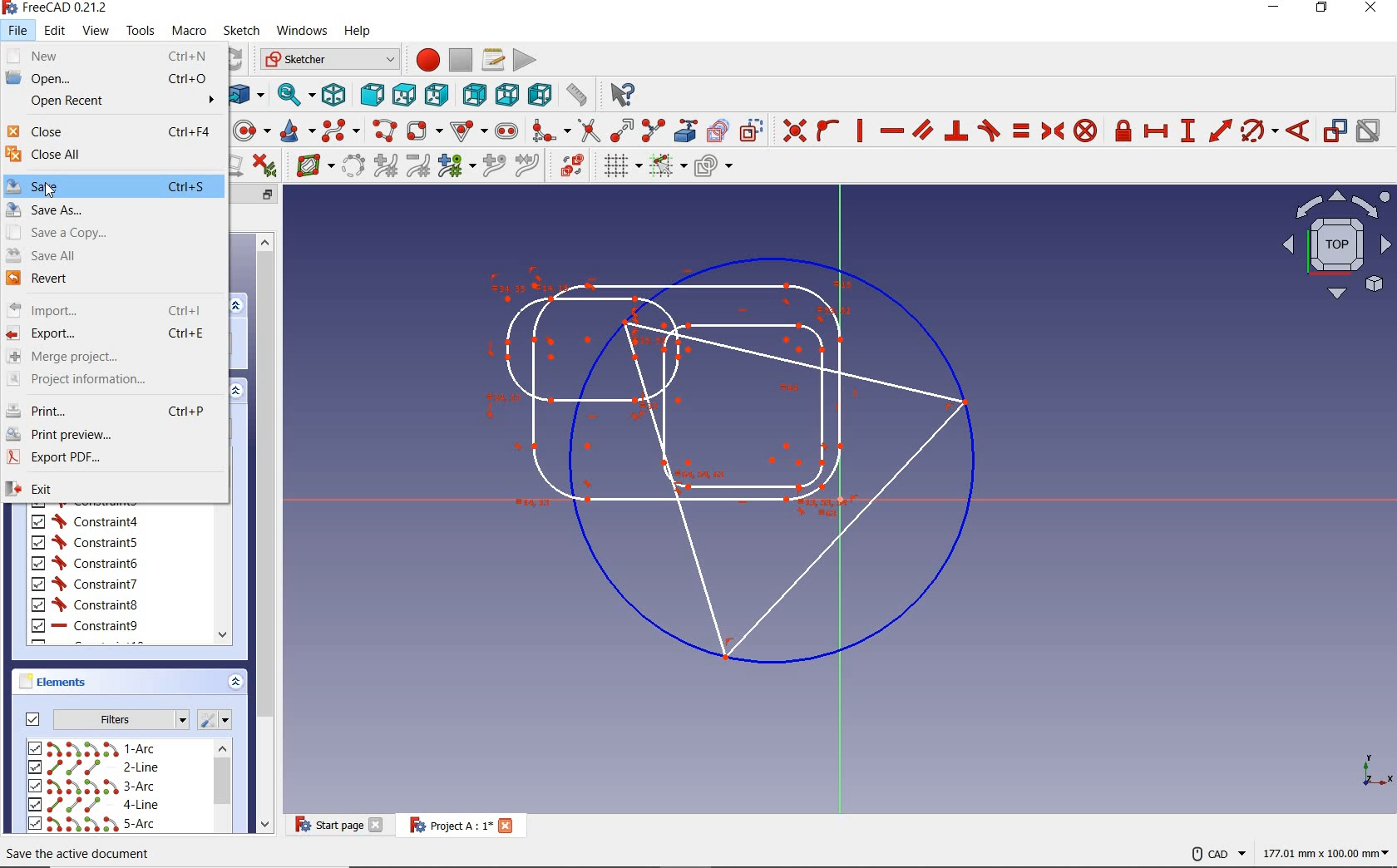  I want to click on restore down, so click(1322, 8).